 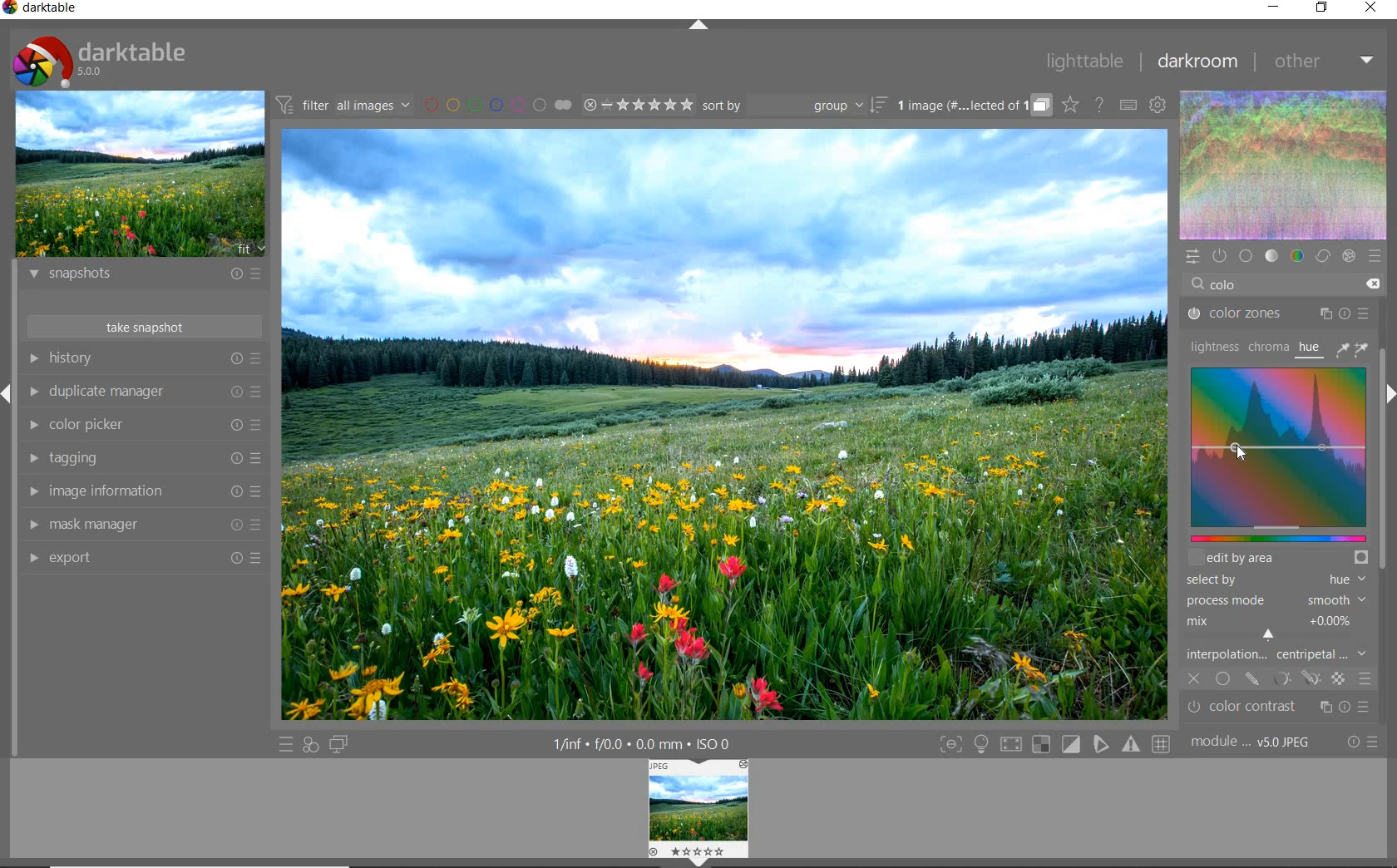 I want to click on filter all images by module order, so click(x=342, y=106).